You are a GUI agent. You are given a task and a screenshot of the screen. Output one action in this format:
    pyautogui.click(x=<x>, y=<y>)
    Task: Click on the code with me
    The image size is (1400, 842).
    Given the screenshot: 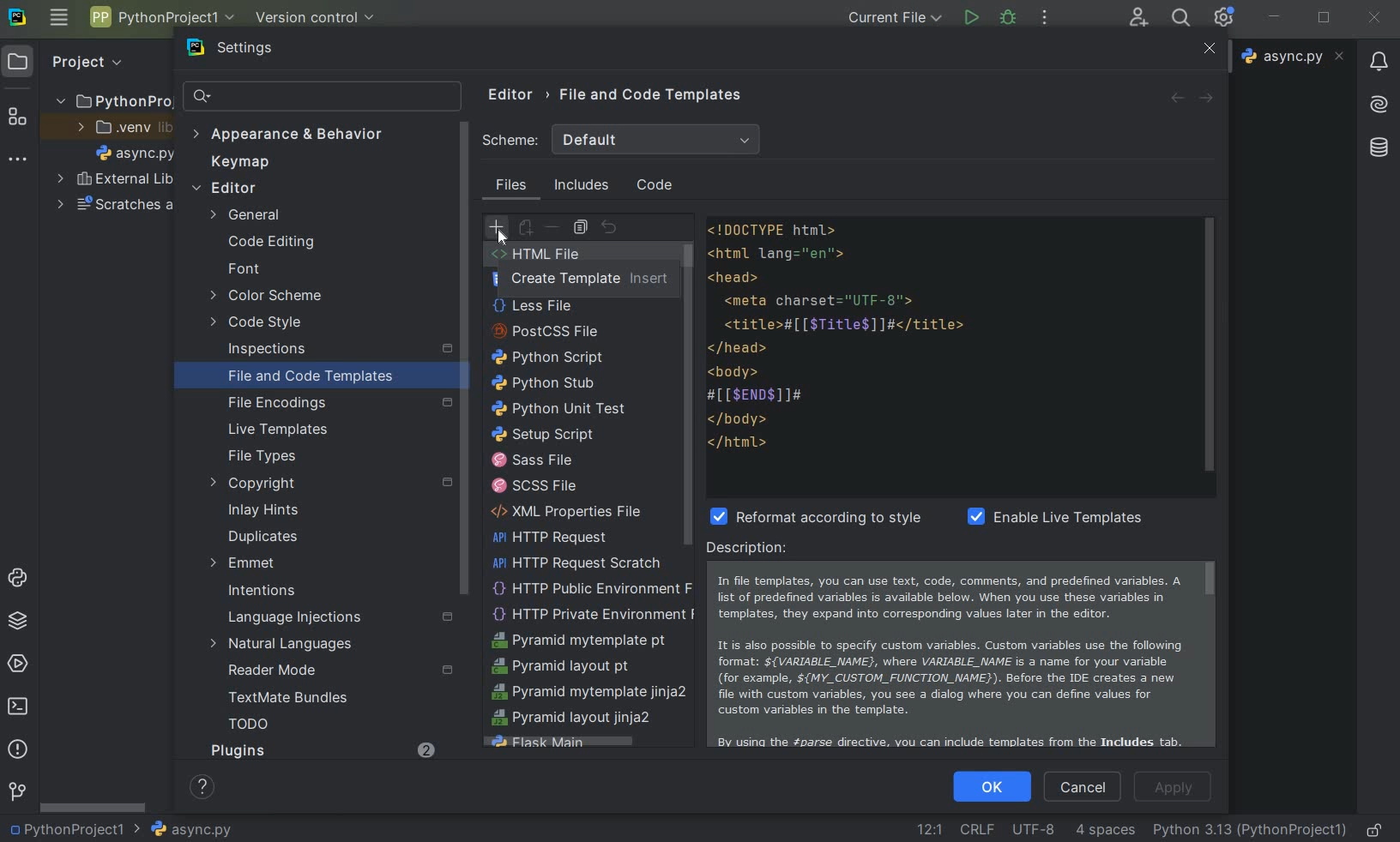 What is the action you would take?
    pyautogui.click(x=1138, y=19)
    